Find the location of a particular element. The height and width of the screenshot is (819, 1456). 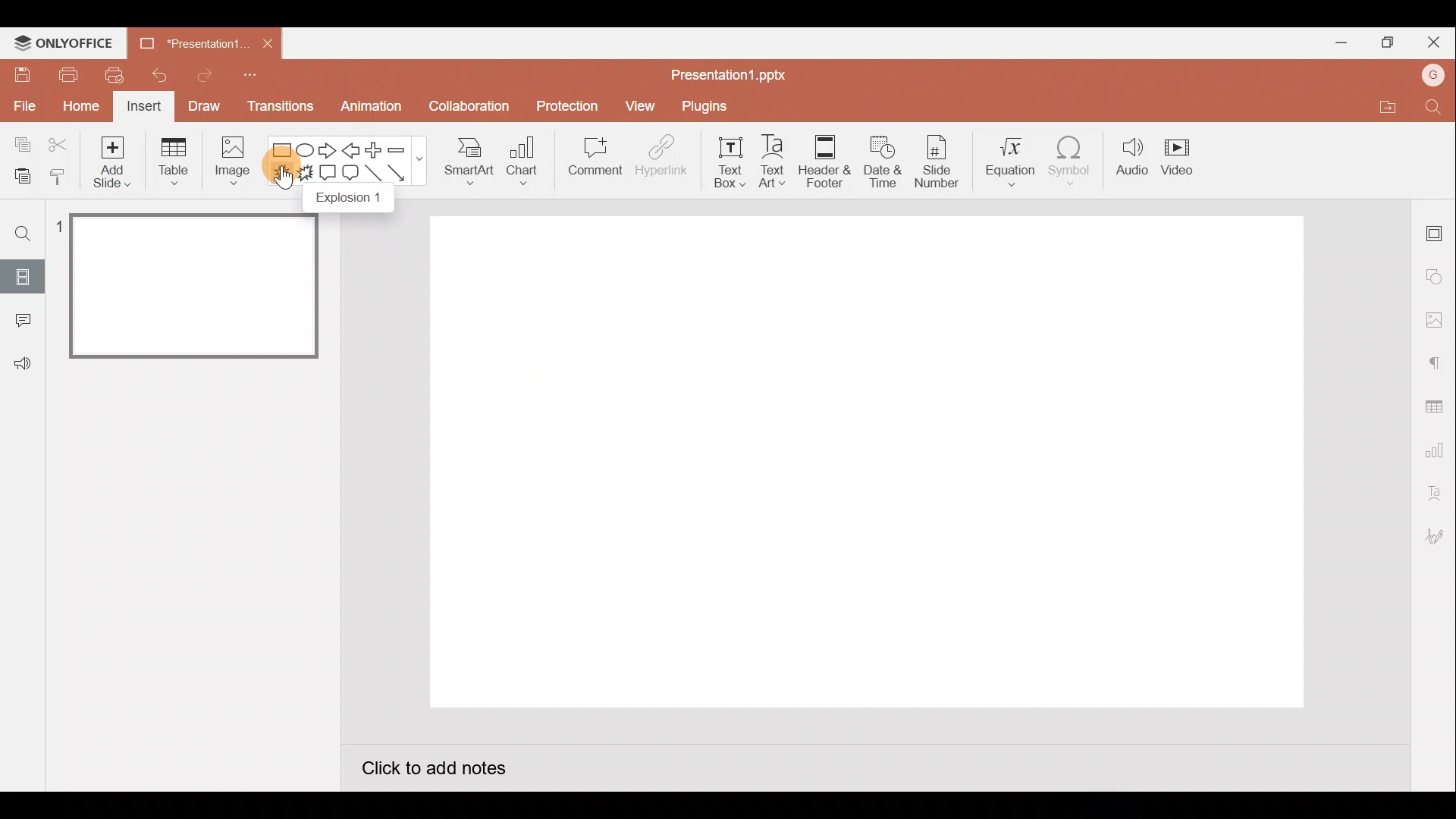

Equation is located at coordinates (1006, 163).